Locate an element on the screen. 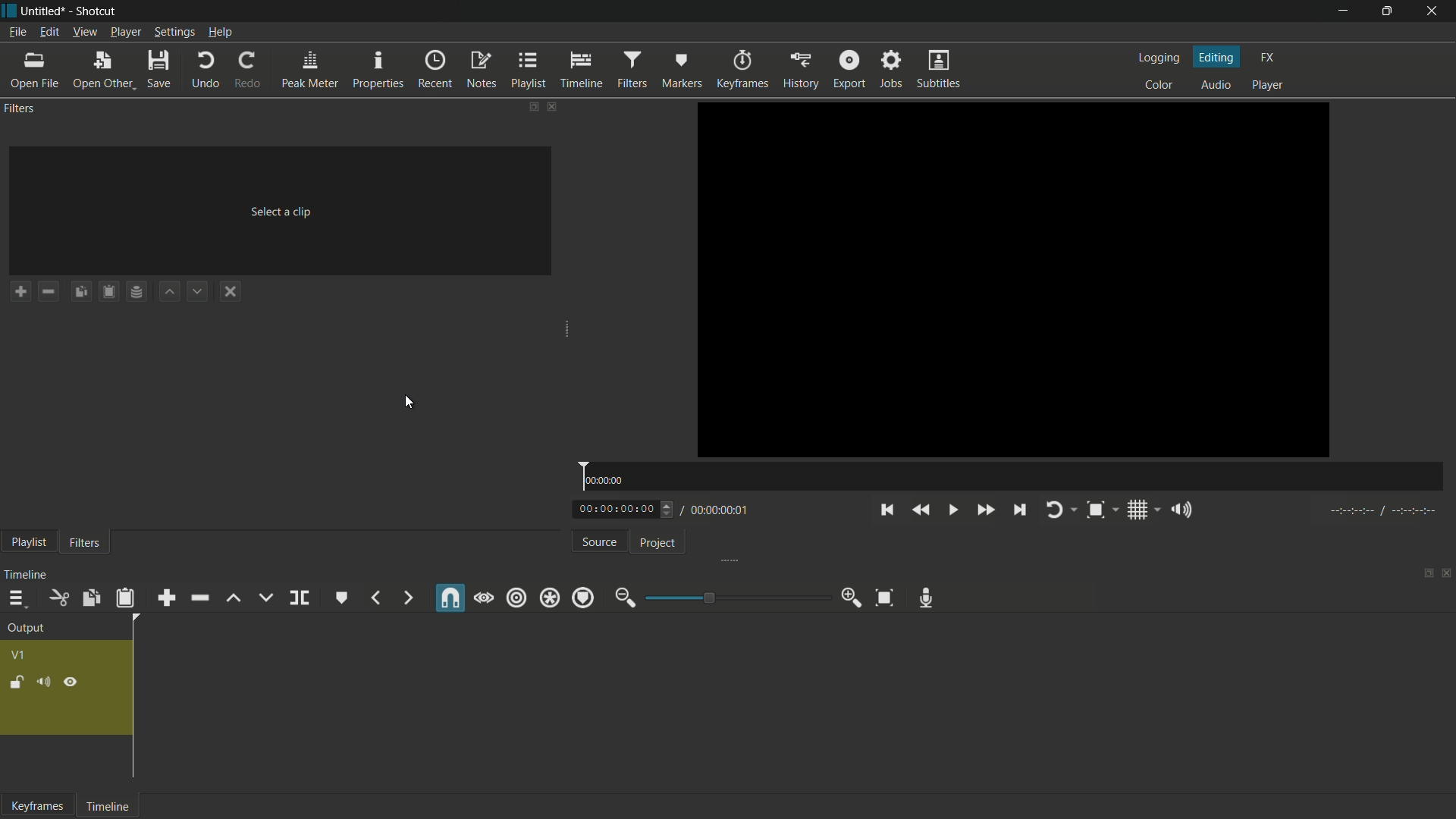  zoom in is located at coordinates (852, 598).